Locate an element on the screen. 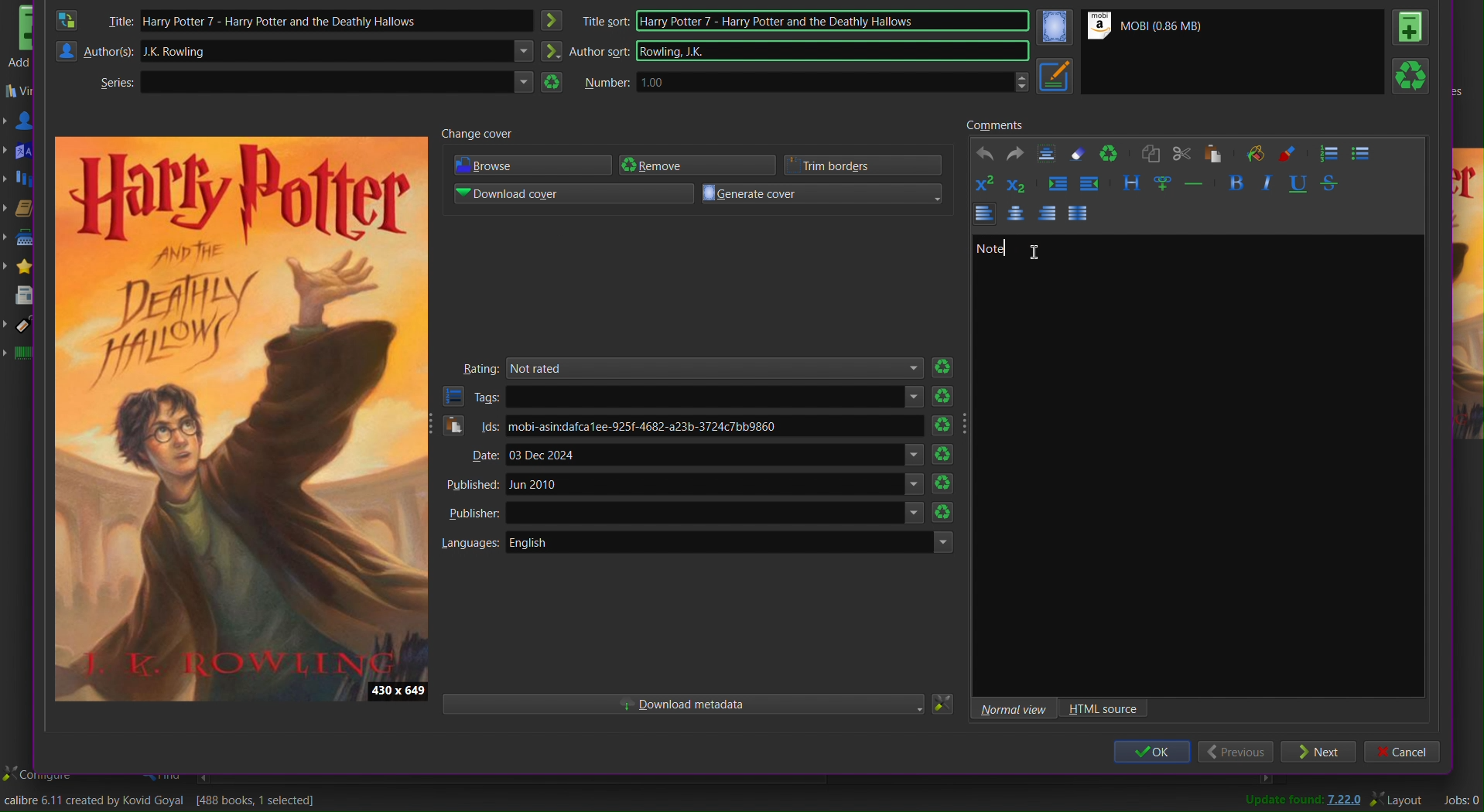 Image resolution: width=1484 pixels, height=812 pixels. Published is located at coordinates (471, 486).